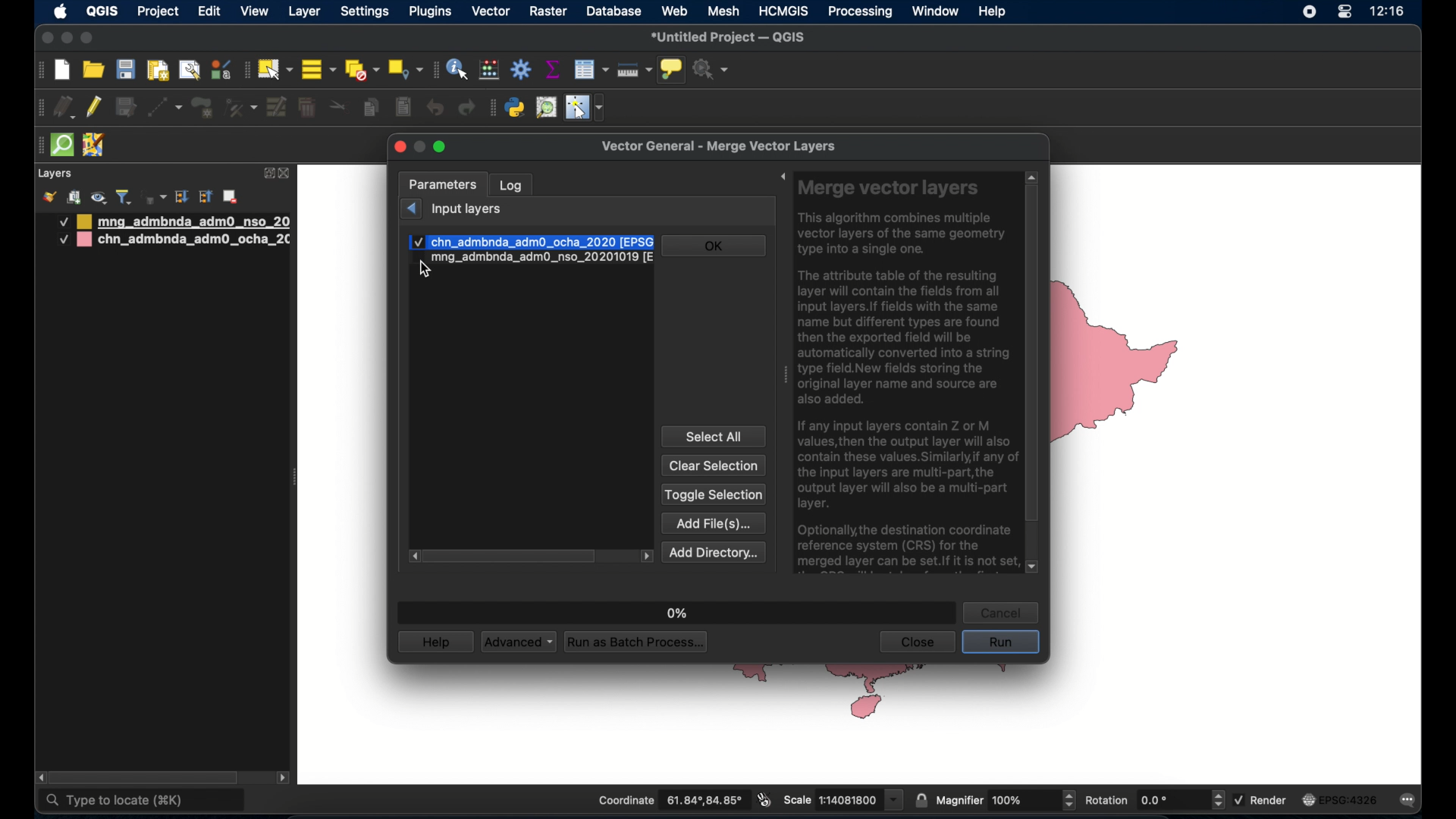 The height and width of the screenshot is (819, 1456). Describe the element at coordinates (1153, 801) in the screenshot. I see `rotation` at that location.